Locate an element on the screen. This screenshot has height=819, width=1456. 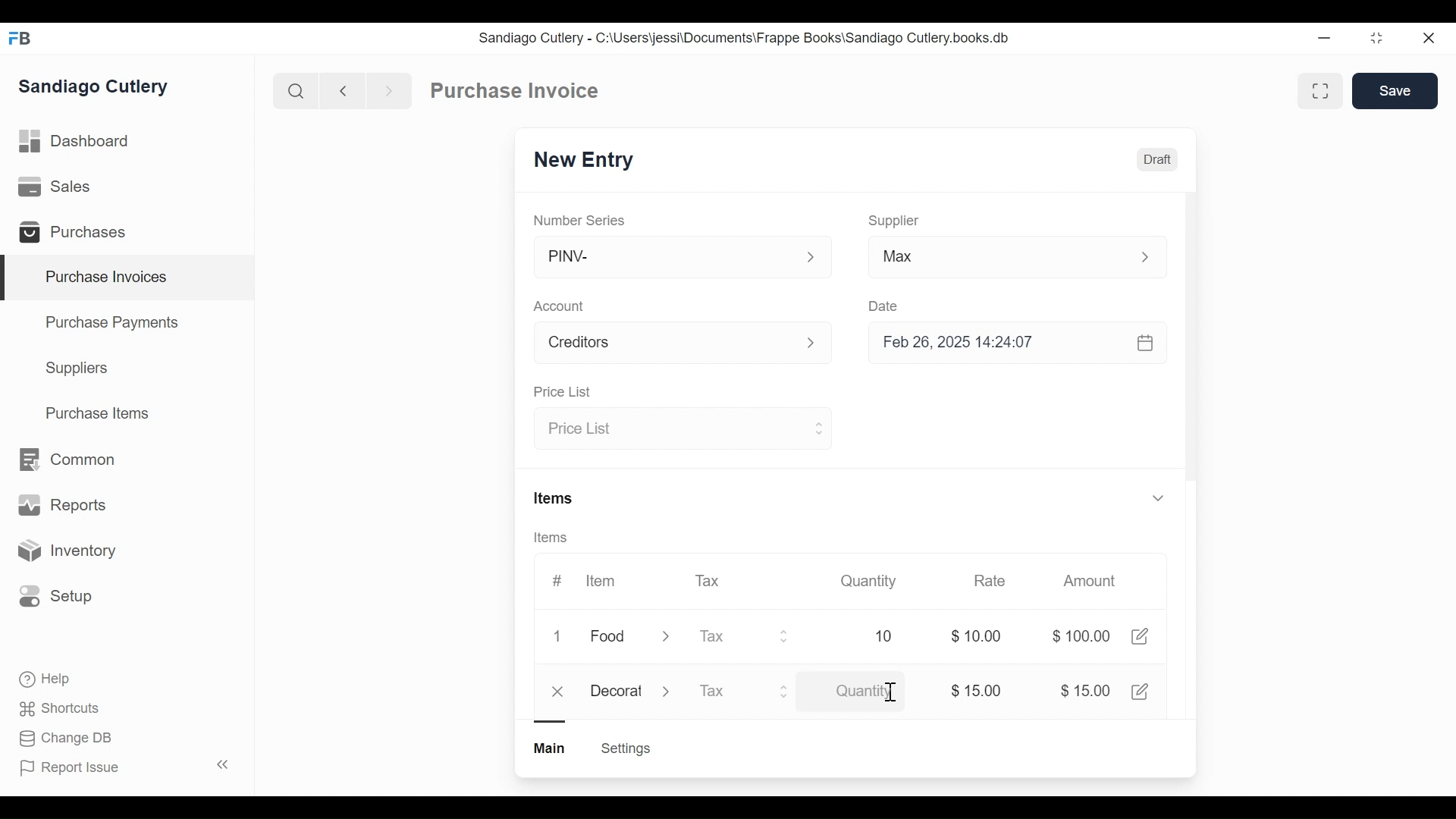
Decorat is located at coordinates (617, 689).